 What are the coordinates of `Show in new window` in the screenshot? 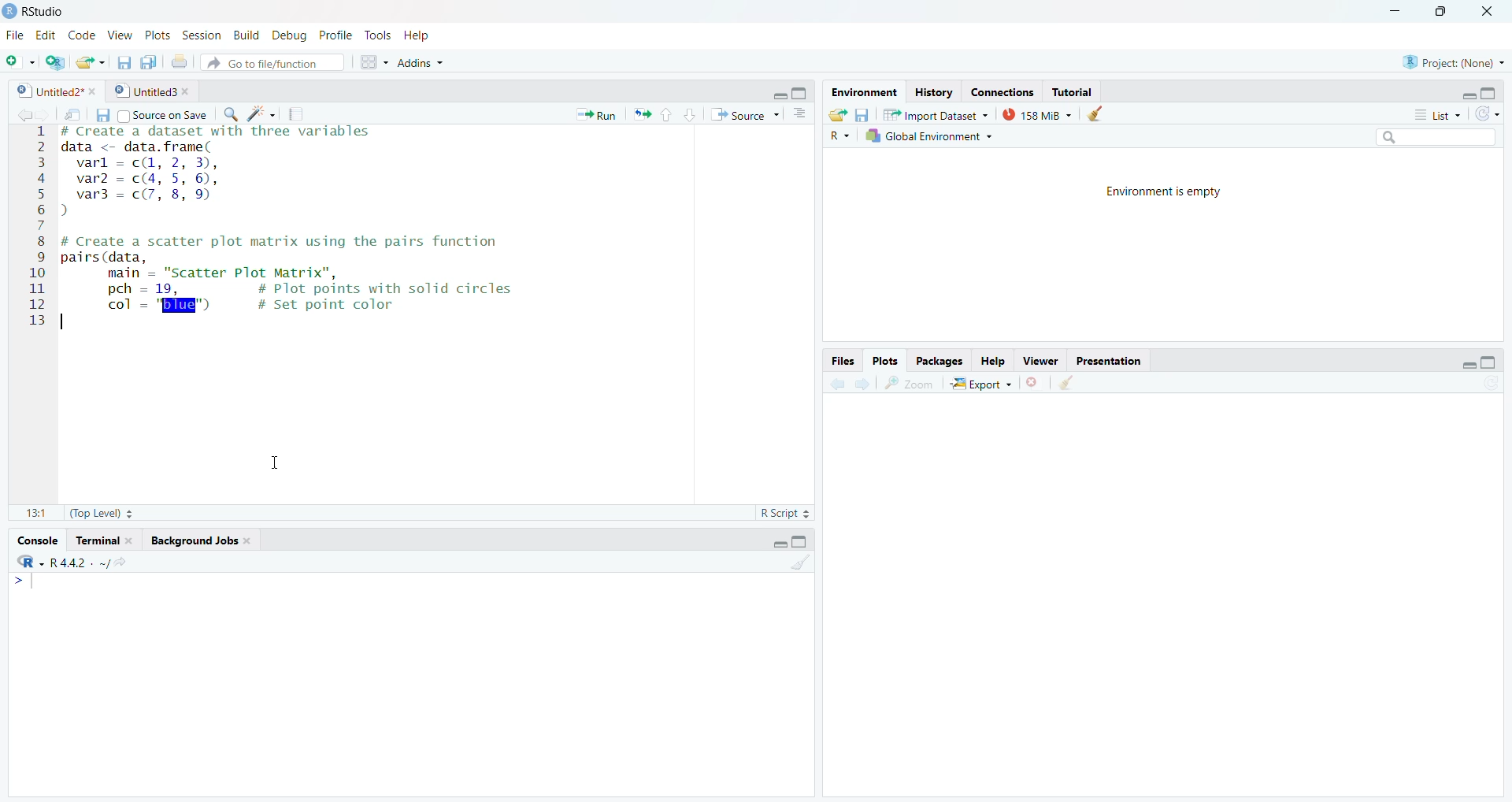 It's located at (69, 113).